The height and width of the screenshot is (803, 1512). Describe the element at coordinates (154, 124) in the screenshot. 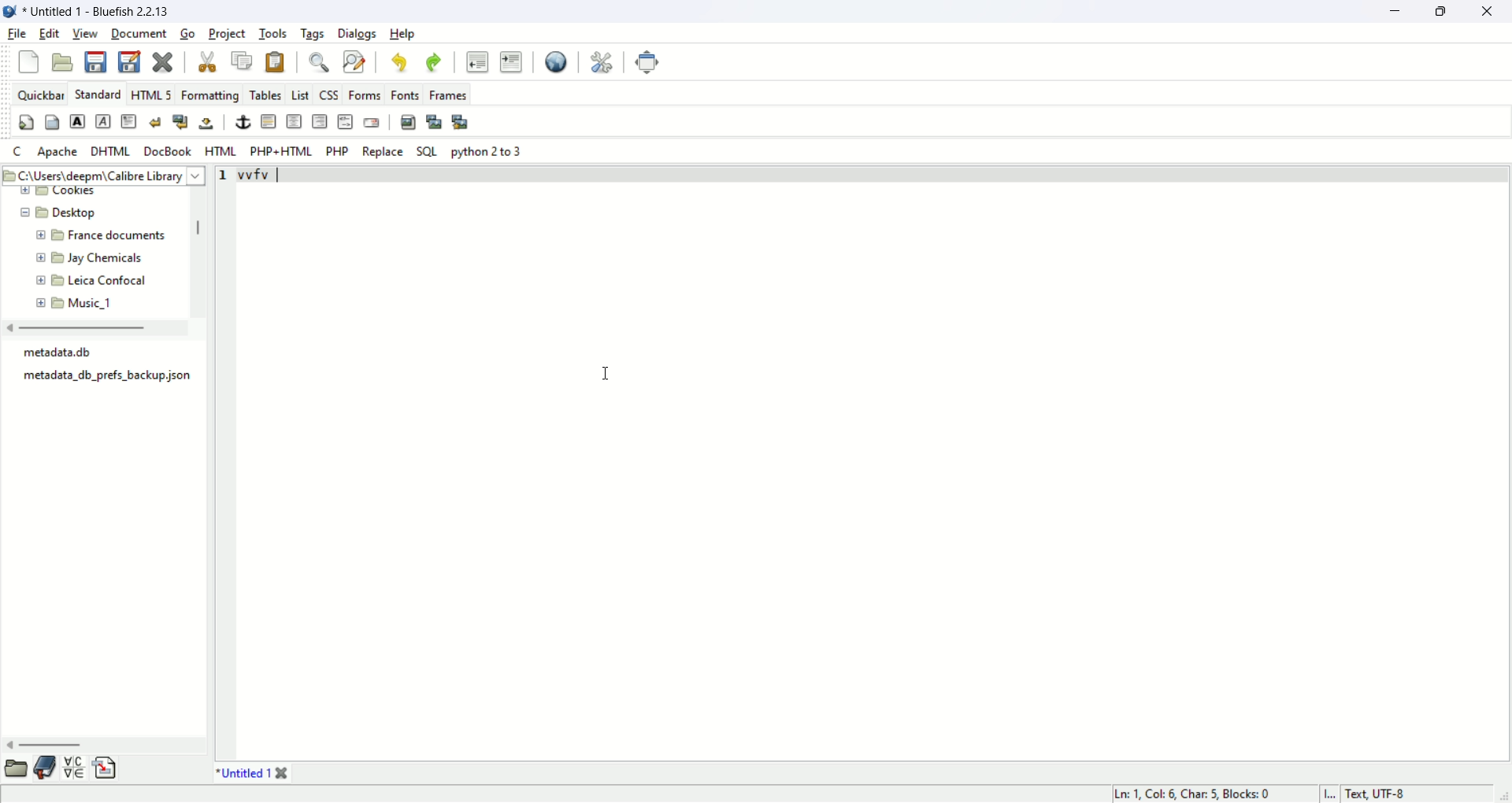

I see `break` at that location.